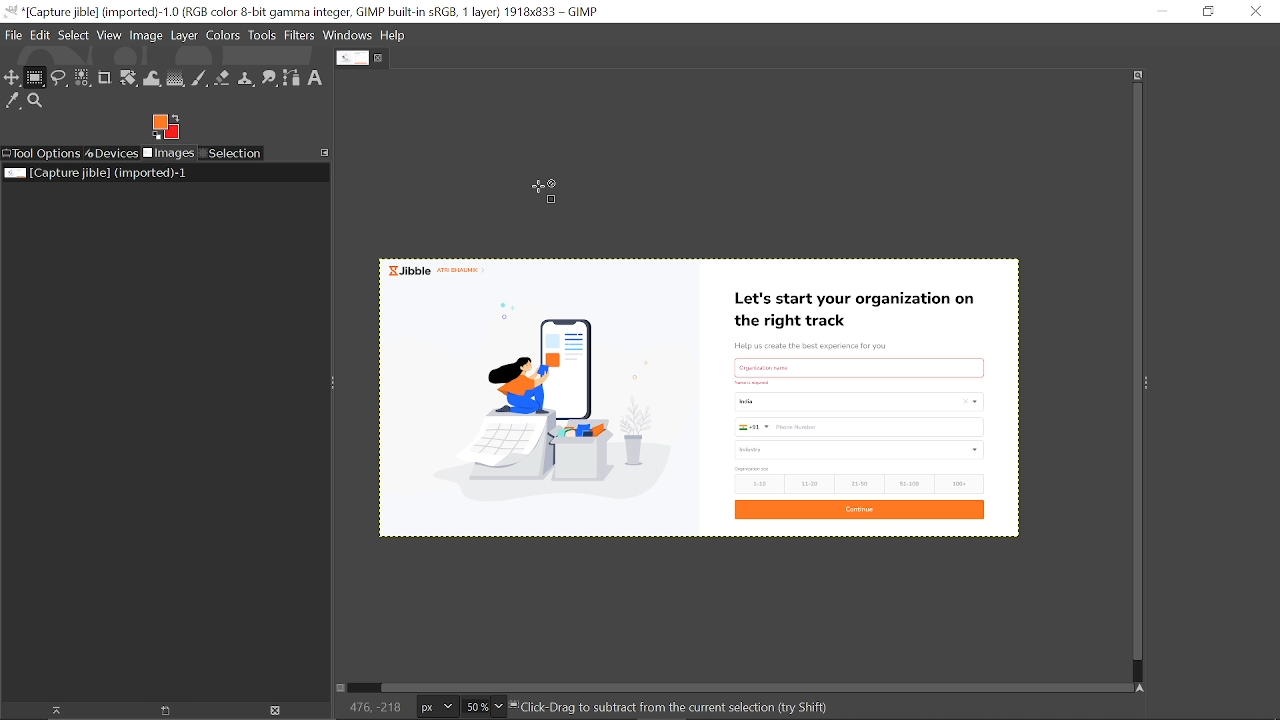 Image resolution: width=1280 pixels, height=720 pixels. Describe the element at coordinates (223, 79) in the screenshot. I see `Eraser` at that location.